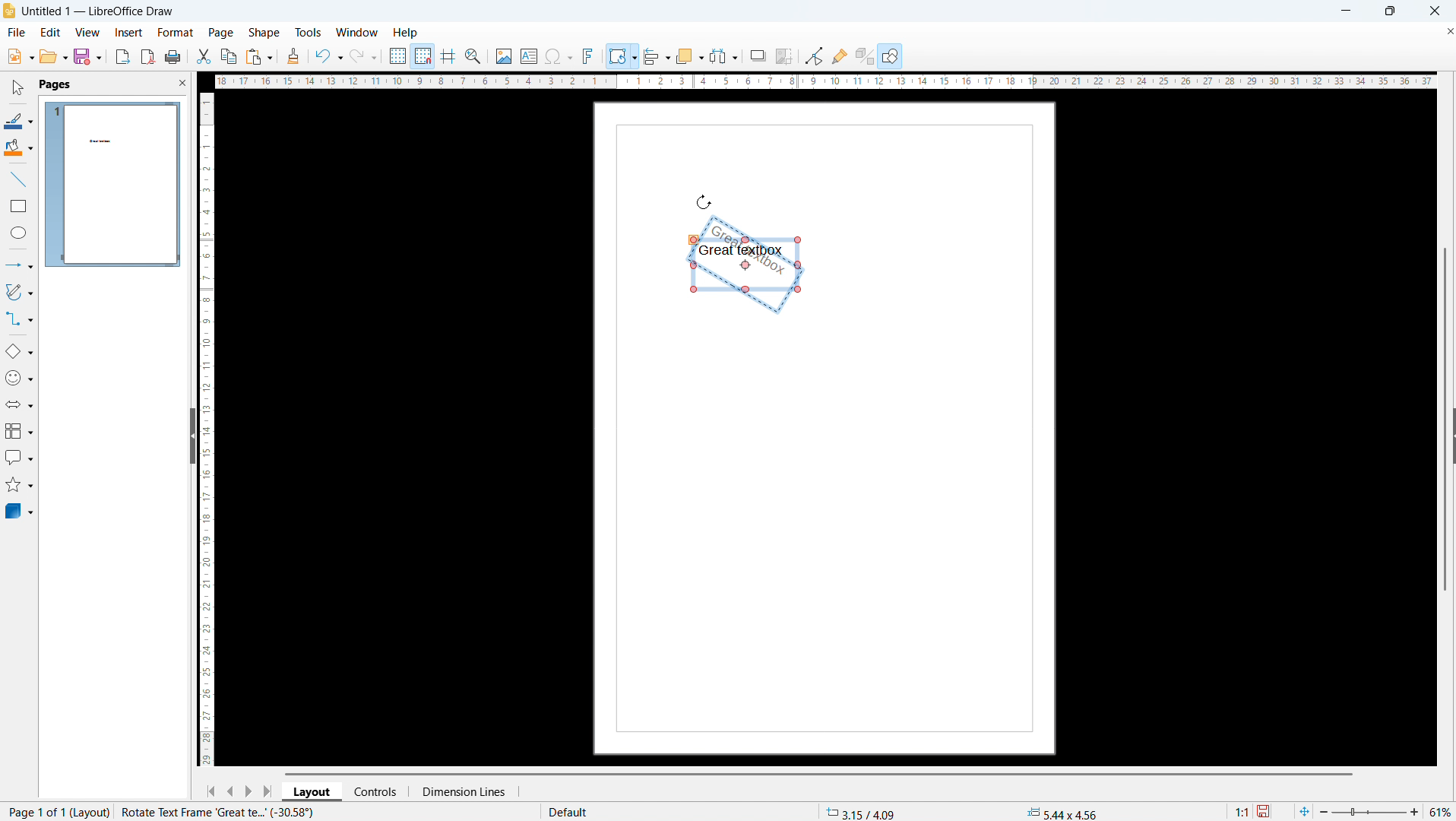  What do you see at coordinates (15, 33) in the screenshot?
I see `file` at bounding box center [15, 33].